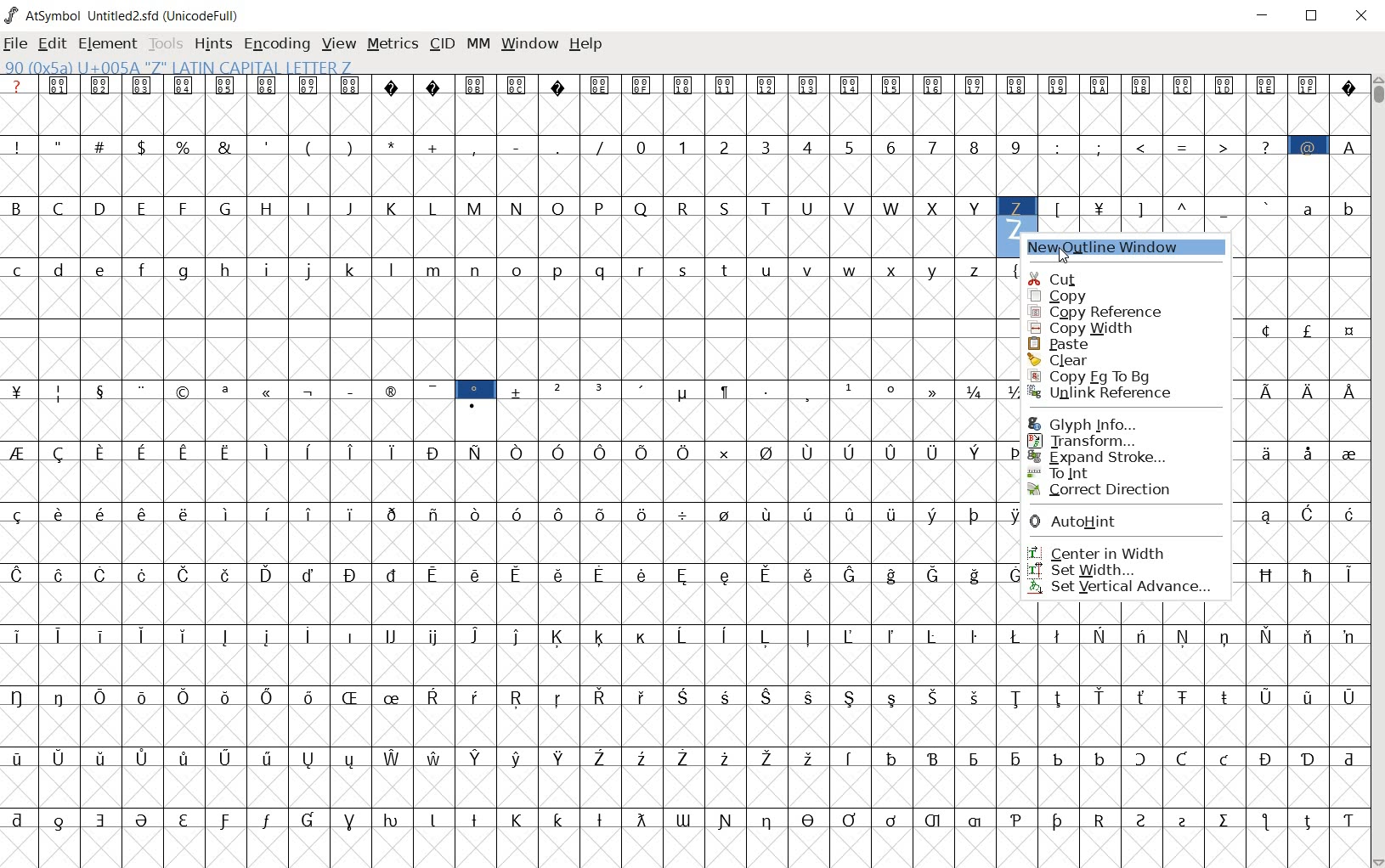 The image size is (1385, 868). What do you see at coordinates (1314, 18) in the screenshot?
I see `restore down` at bounding box center [1314, 18].